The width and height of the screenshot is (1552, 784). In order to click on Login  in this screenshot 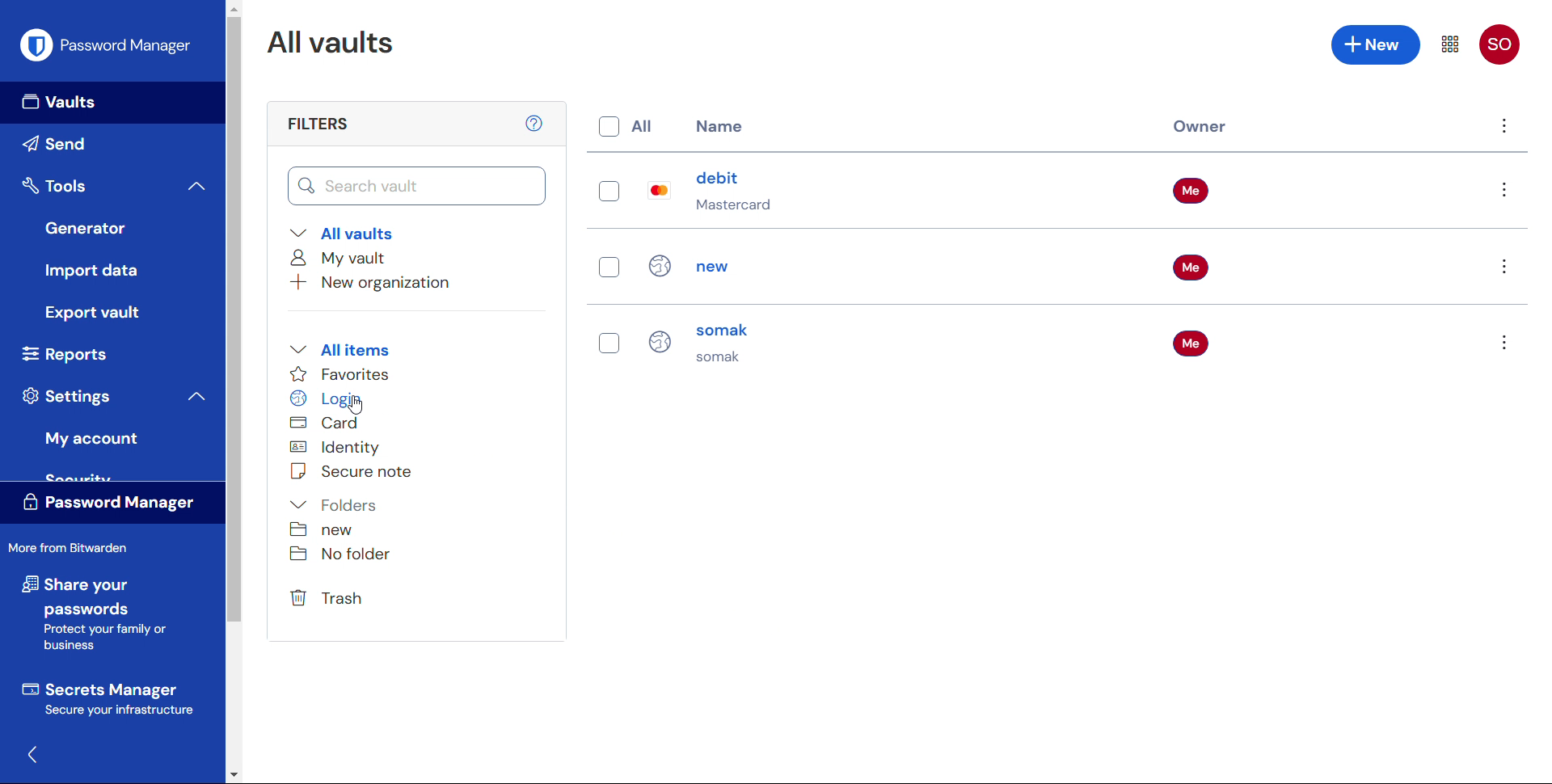, I will do `click(327, 398)`.